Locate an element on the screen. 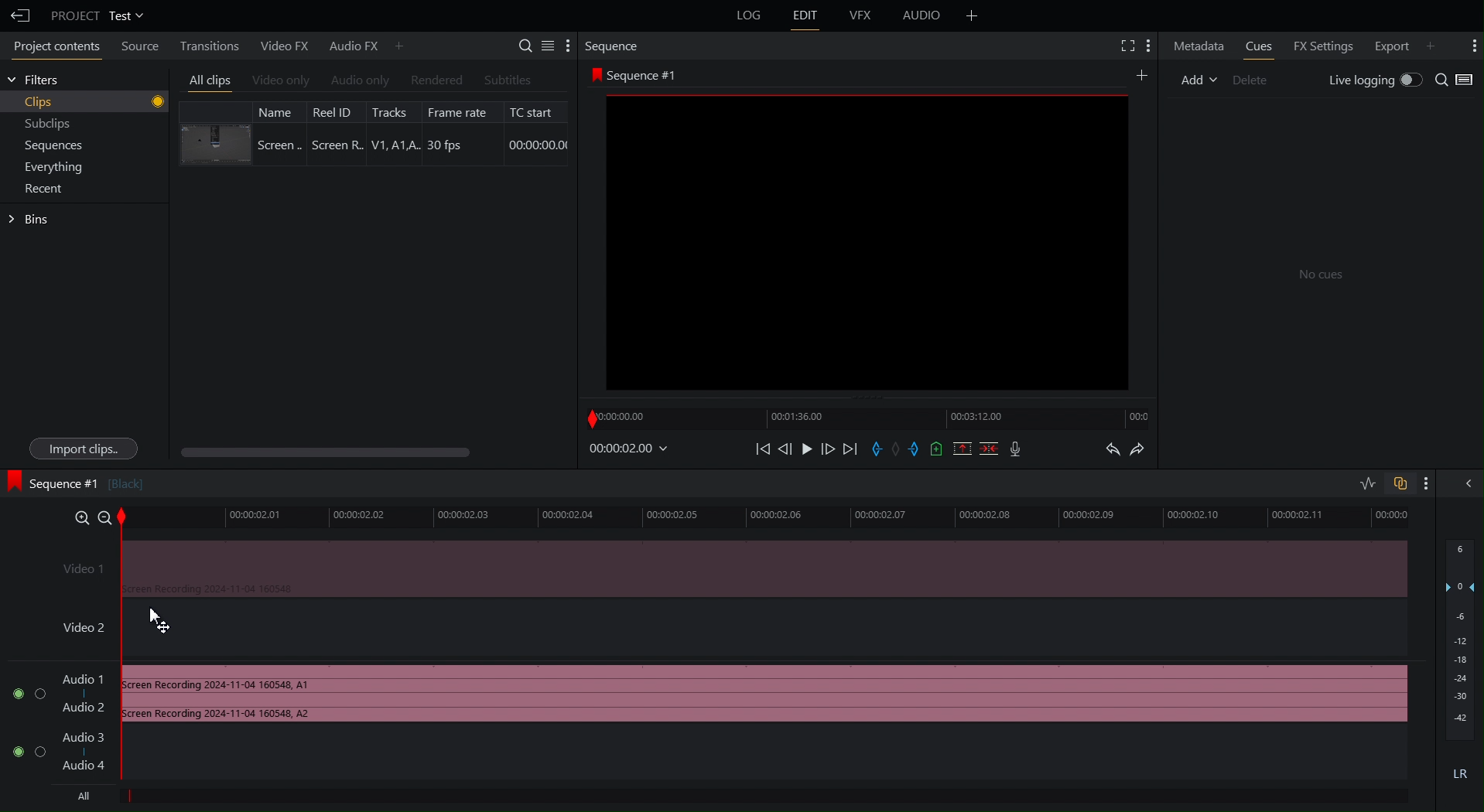  Audio is located at coordinates (919, 16).